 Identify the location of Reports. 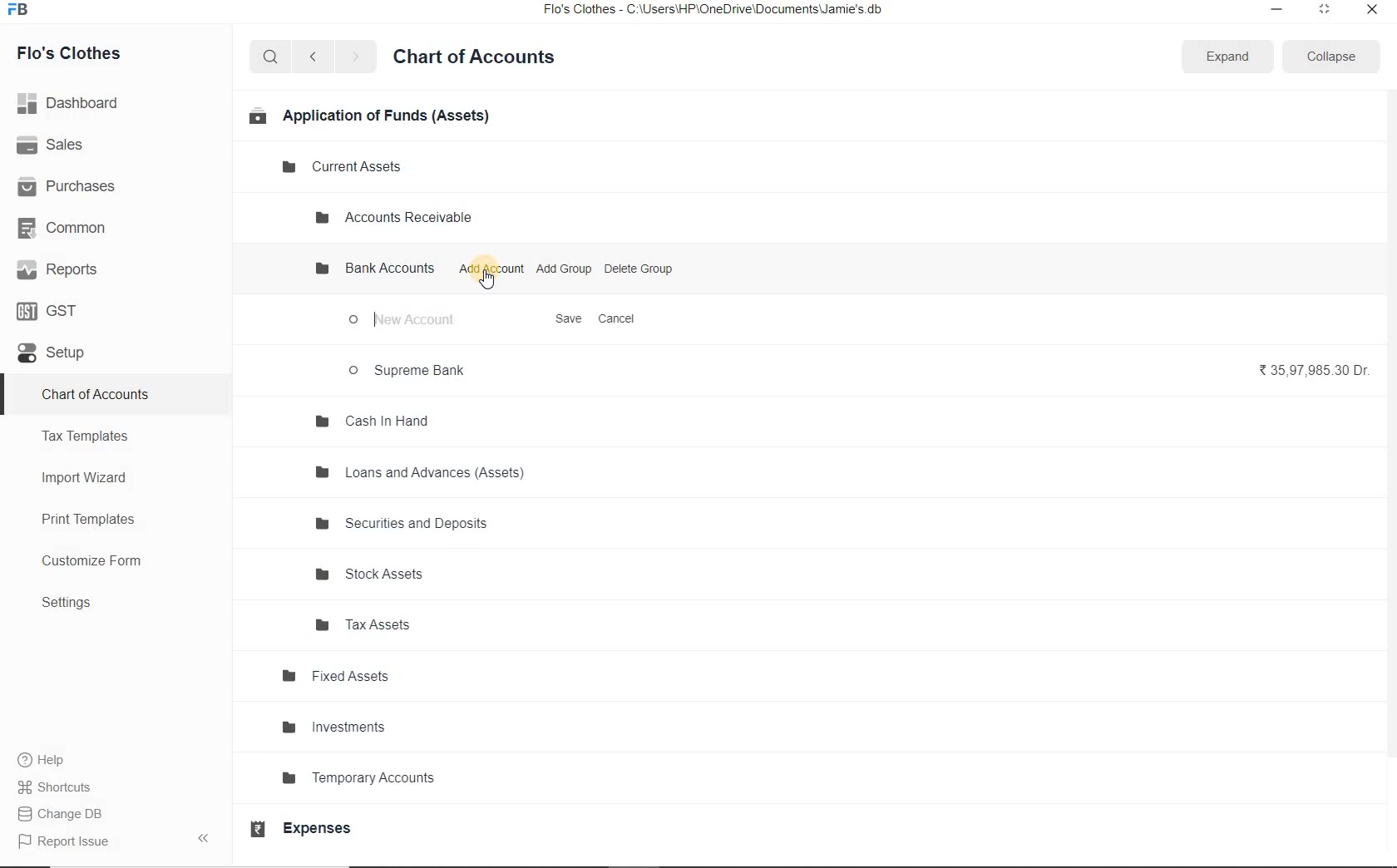
(58, 270).